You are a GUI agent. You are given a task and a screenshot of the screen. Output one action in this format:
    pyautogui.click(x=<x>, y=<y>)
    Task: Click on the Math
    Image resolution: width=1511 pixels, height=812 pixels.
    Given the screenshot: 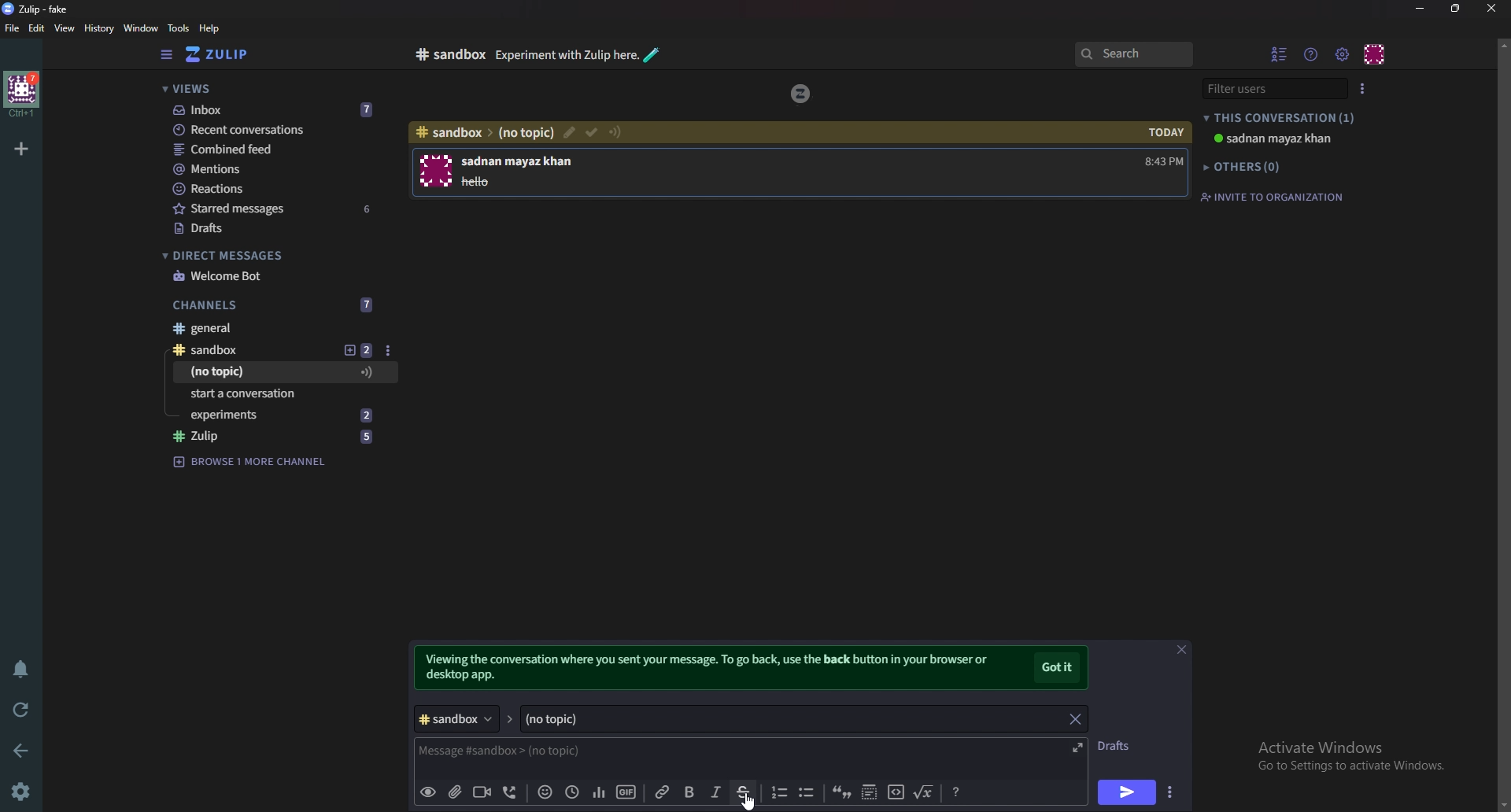 What is the action you would take?
    pyautogui.click(x=926, y=793)
    